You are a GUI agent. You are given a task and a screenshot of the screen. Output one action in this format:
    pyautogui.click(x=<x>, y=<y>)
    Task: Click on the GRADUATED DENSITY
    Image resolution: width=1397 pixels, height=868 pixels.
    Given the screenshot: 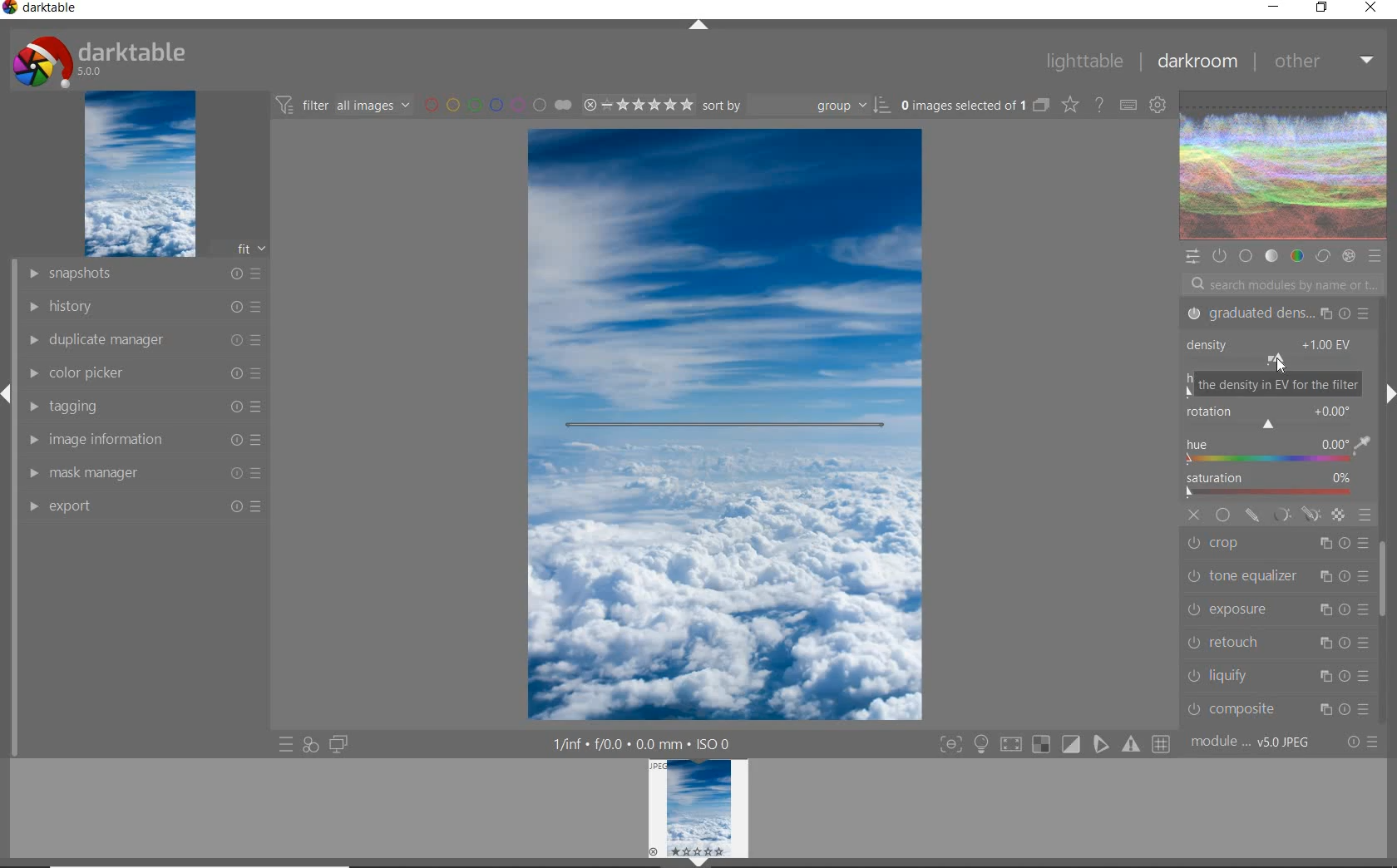 What is the action you would take?
    pyautogui.click(x=1276, y=314)
    